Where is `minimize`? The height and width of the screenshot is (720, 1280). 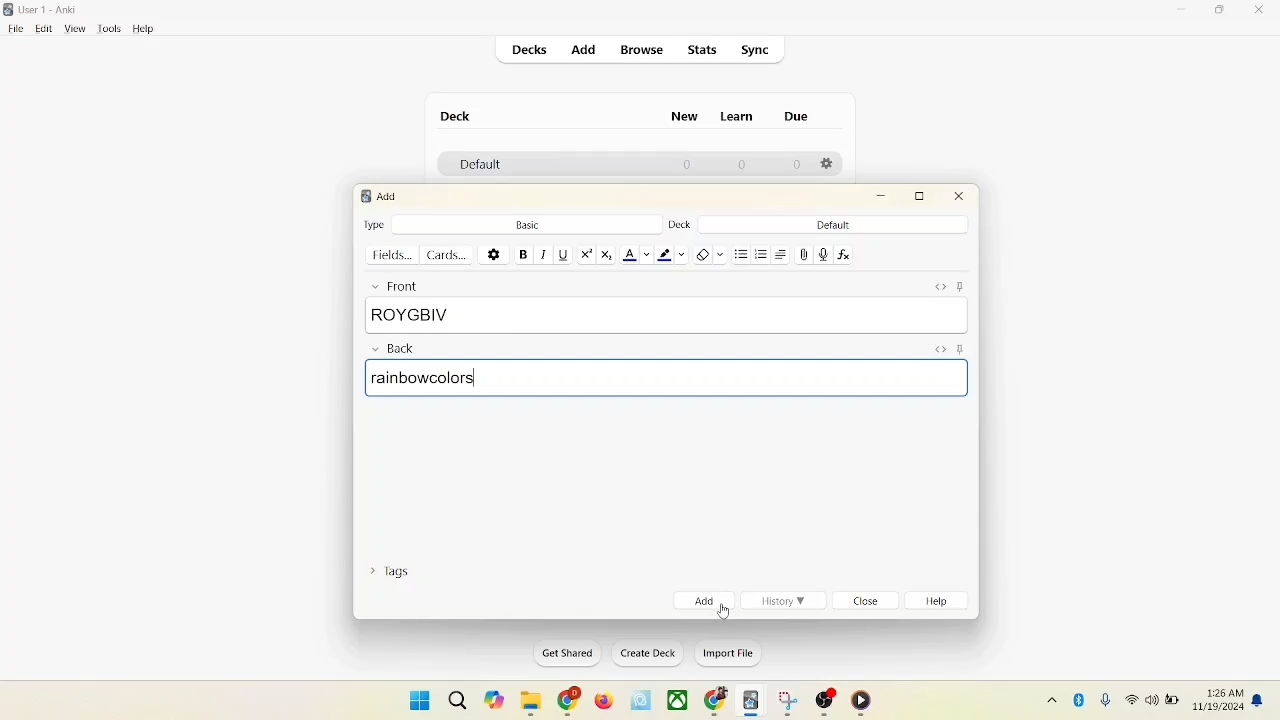 minimize is located at coordinates (883, 197).